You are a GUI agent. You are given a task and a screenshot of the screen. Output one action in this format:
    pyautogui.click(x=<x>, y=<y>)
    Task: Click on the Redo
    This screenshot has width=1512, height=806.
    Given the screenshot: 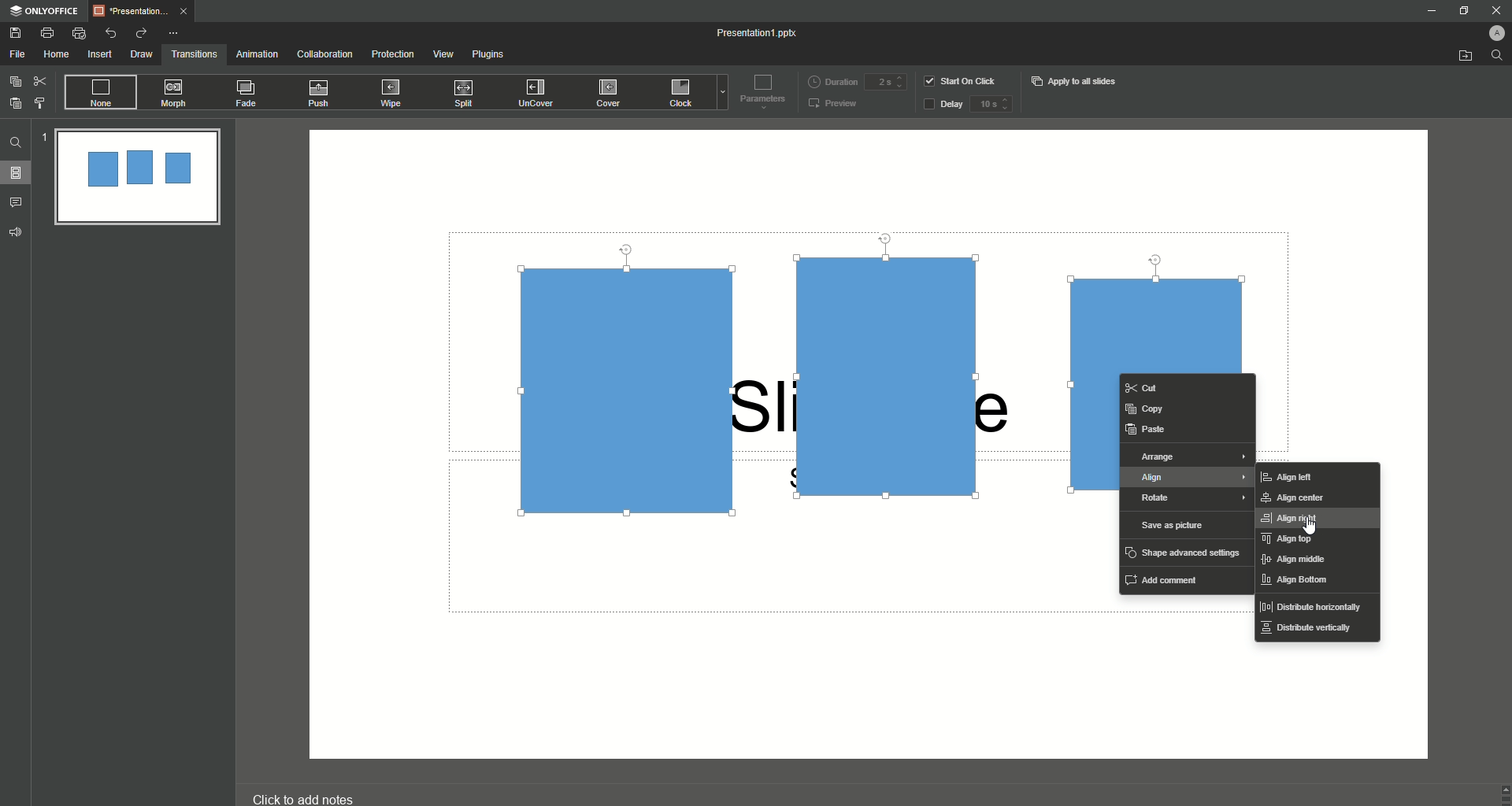 What is the action you would take?
    pyautogui.click(x=140, y=33)
    